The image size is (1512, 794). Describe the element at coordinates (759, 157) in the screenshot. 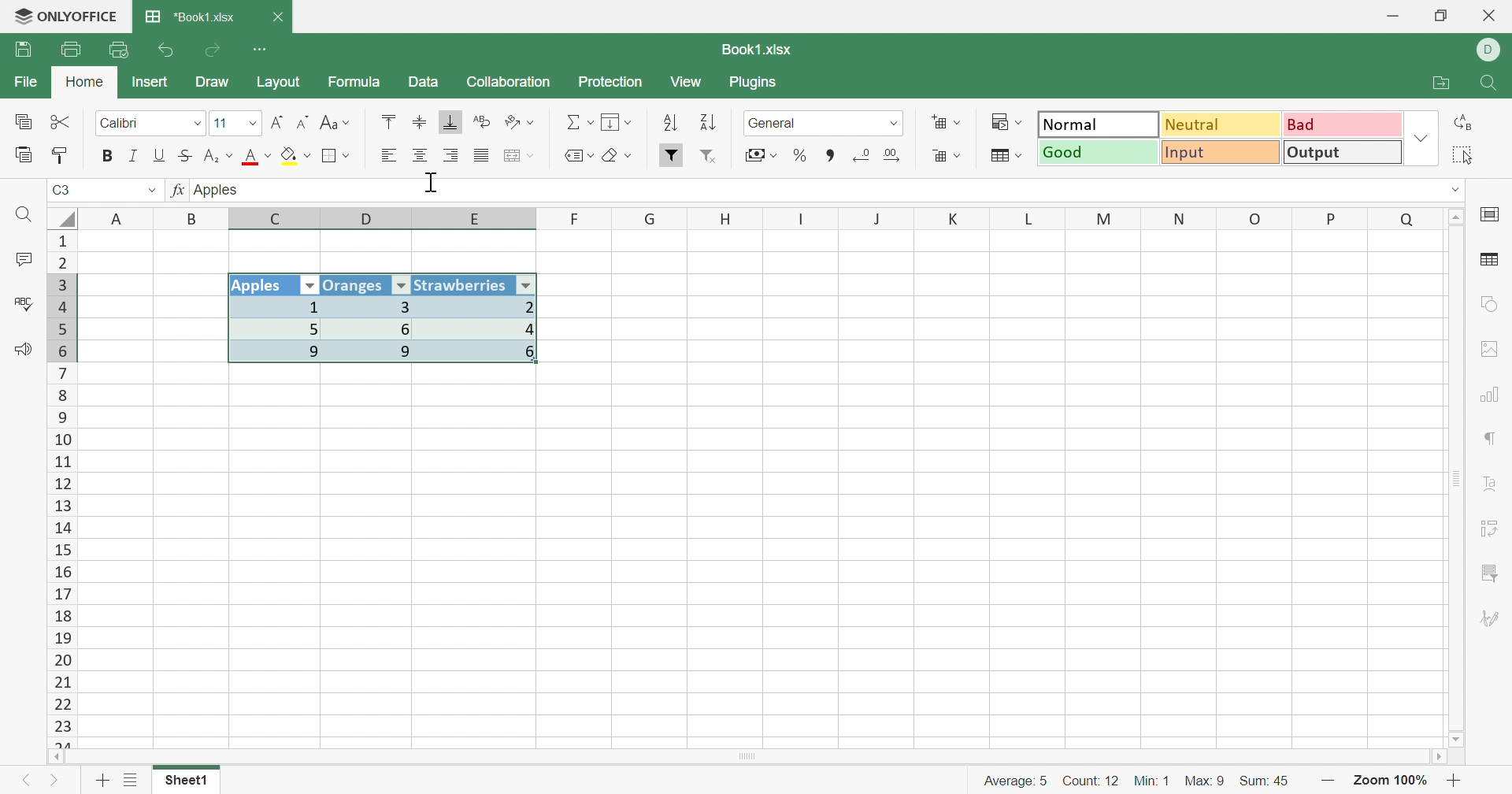

I see `Accounting style` at that location.